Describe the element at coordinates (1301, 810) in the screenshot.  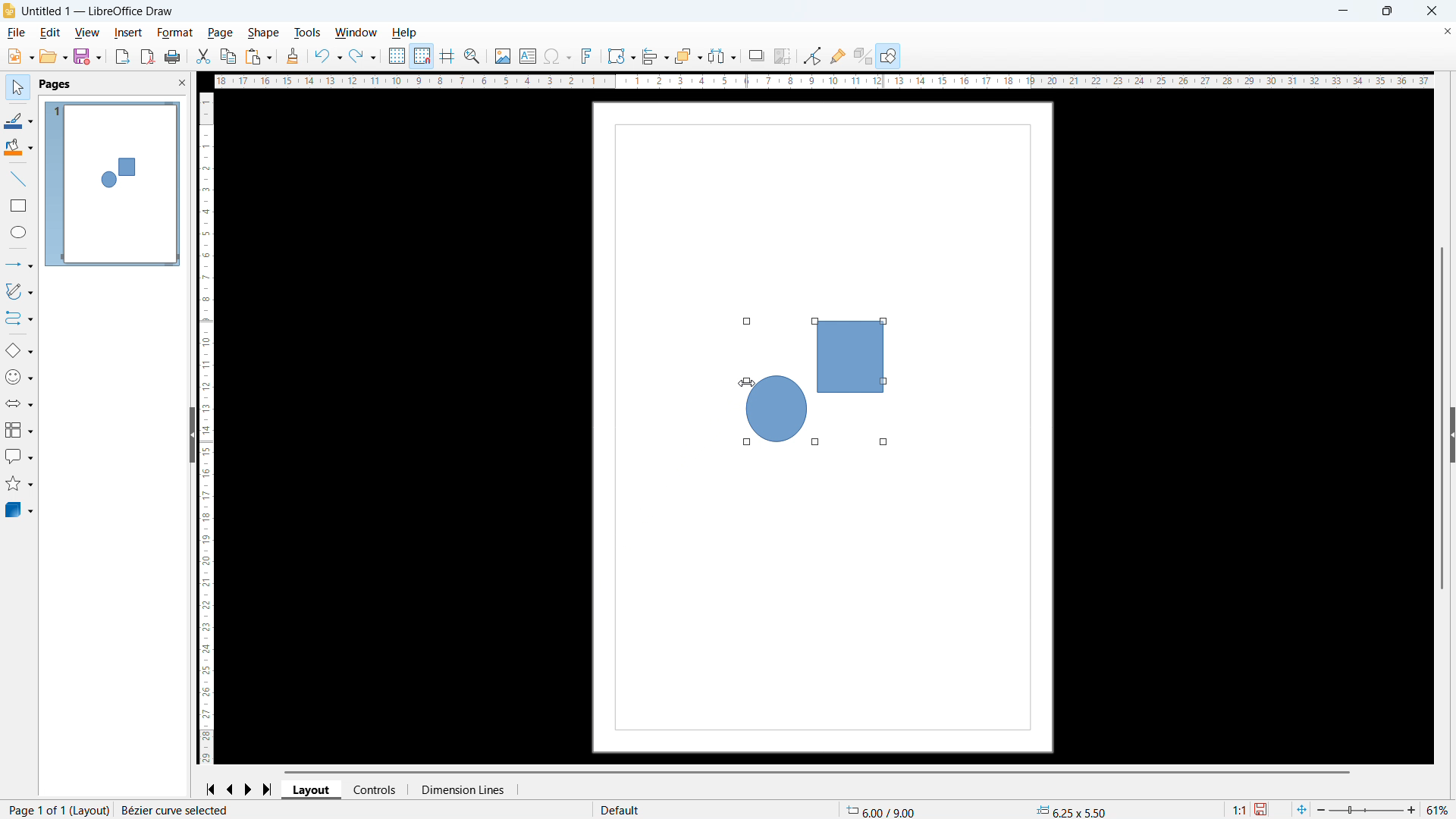
I see `Fit to page ` at that location.